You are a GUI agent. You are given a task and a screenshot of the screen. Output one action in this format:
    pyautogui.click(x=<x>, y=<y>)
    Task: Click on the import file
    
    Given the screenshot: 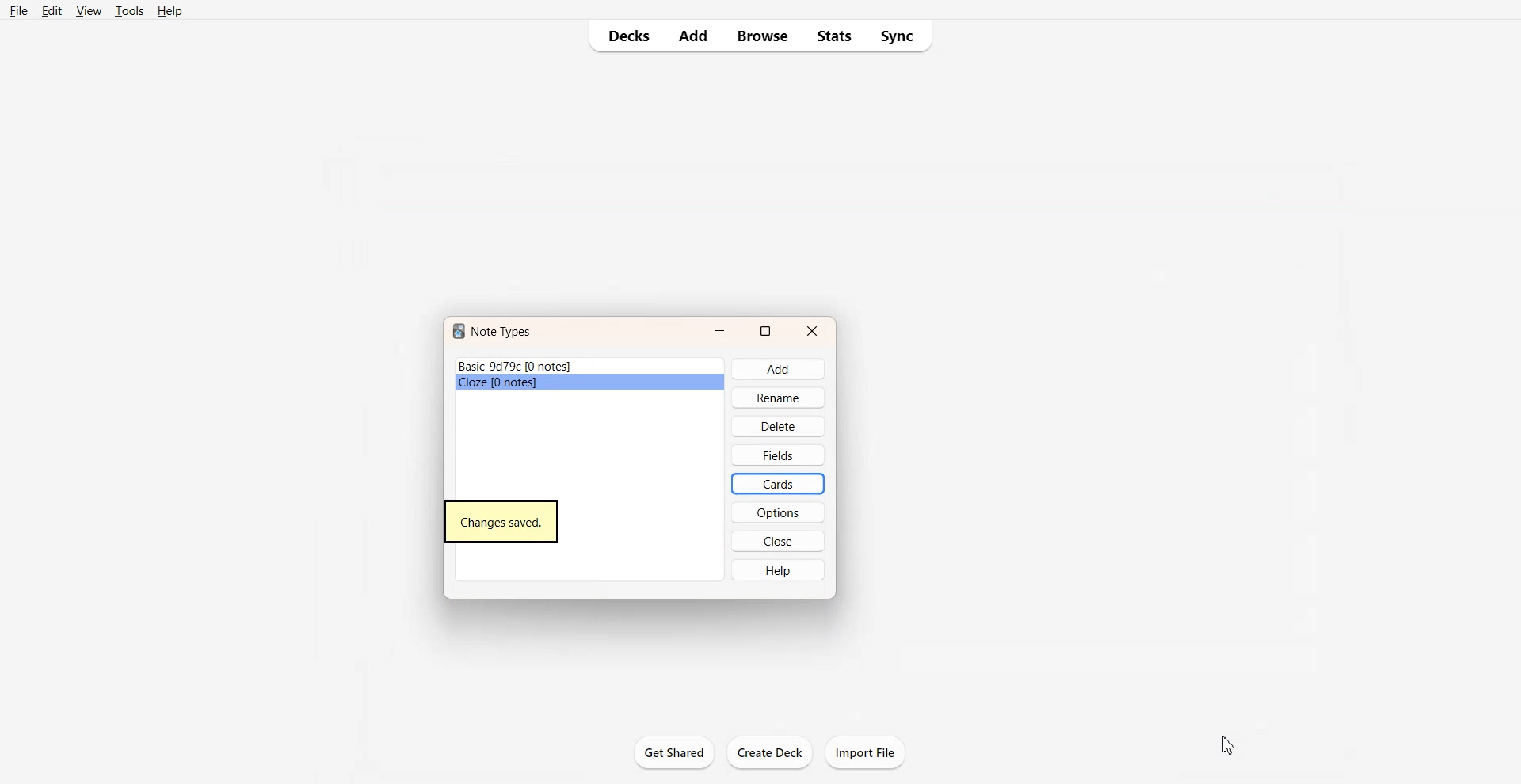 What is the action you would take?
    pyautogui.click(x=869, y=753)
    